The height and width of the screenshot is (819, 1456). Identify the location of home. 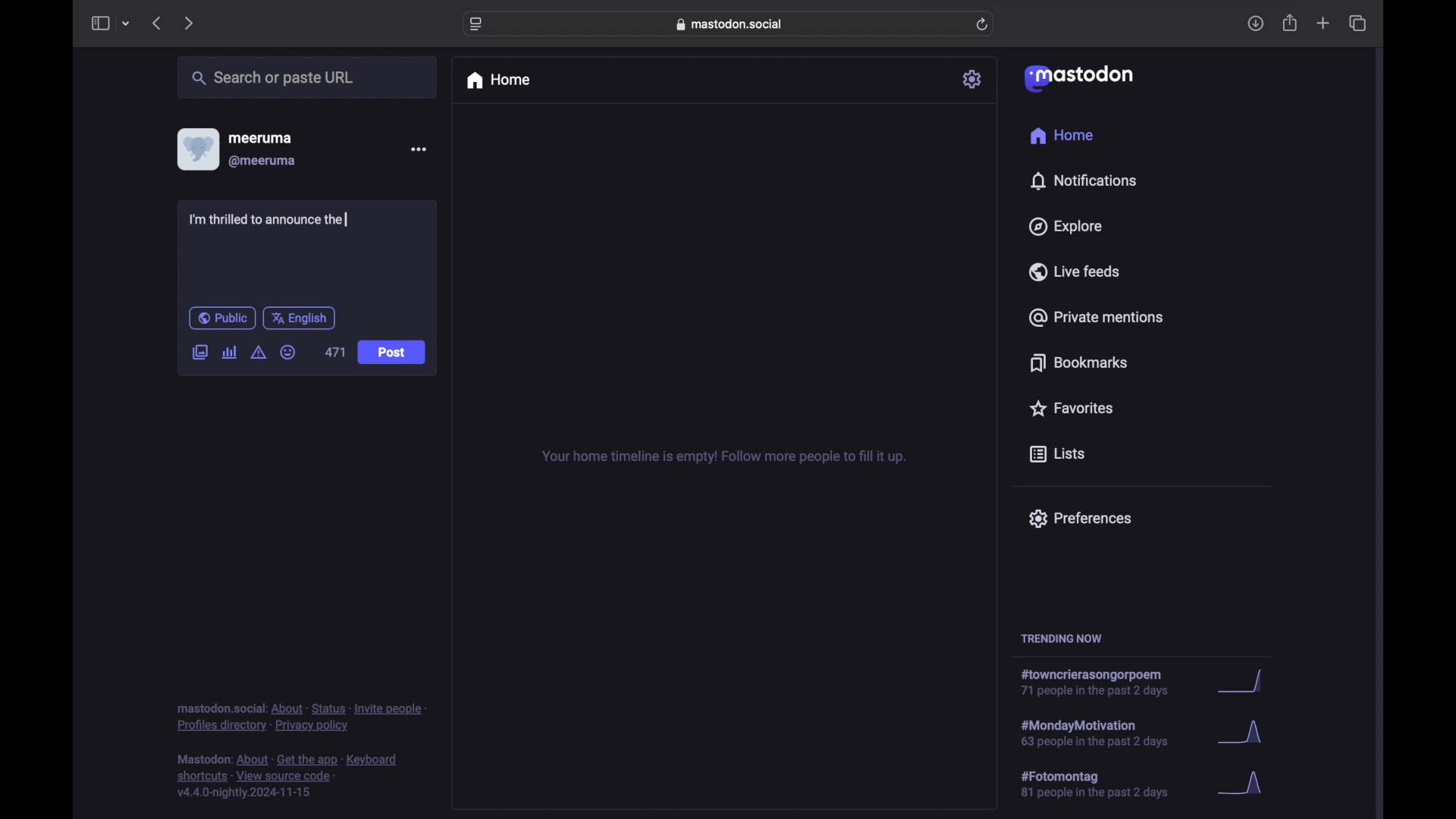
(1063, 135).